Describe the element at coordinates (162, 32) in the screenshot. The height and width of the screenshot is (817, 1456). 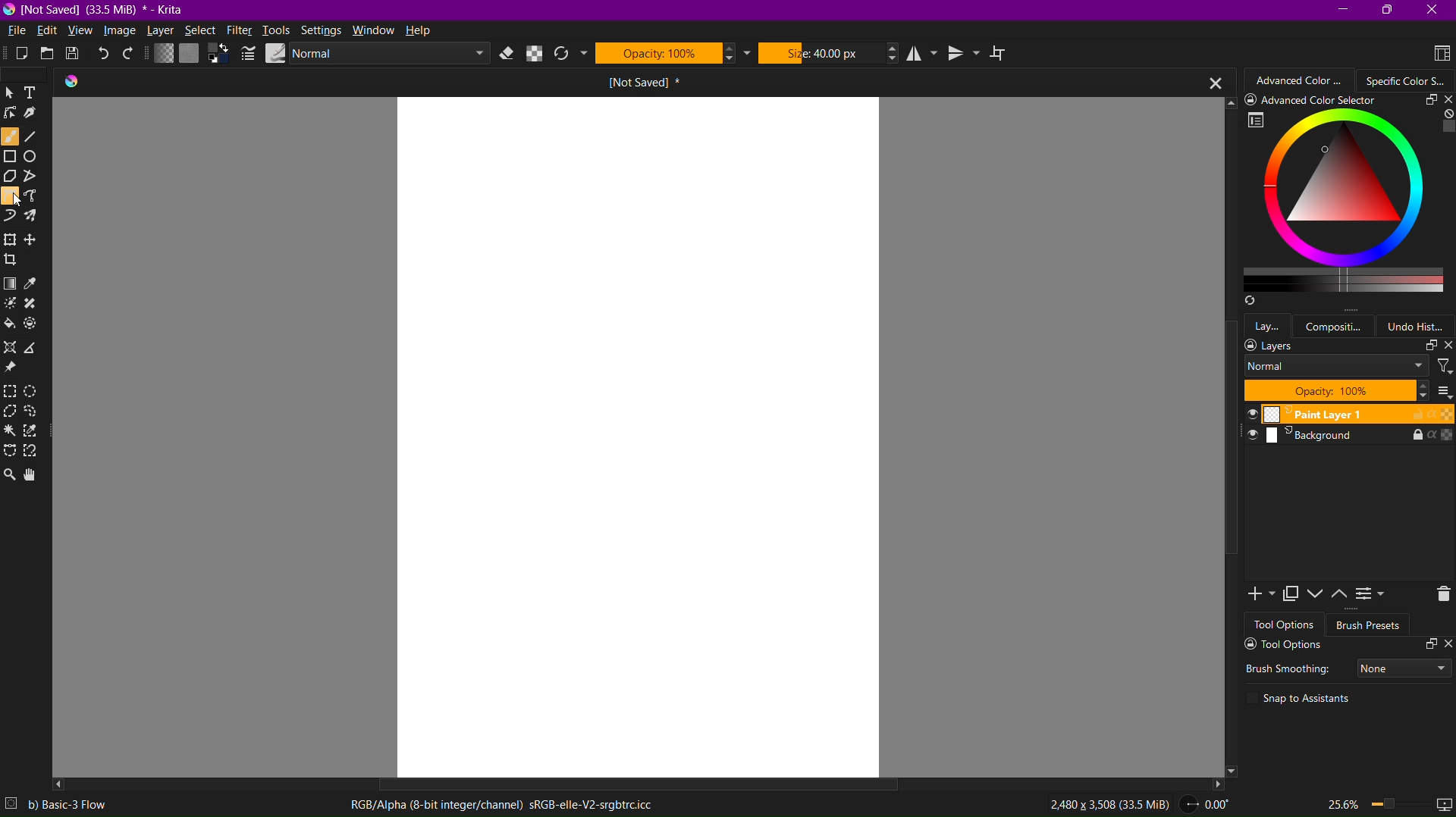
I see `Layer` at that location.